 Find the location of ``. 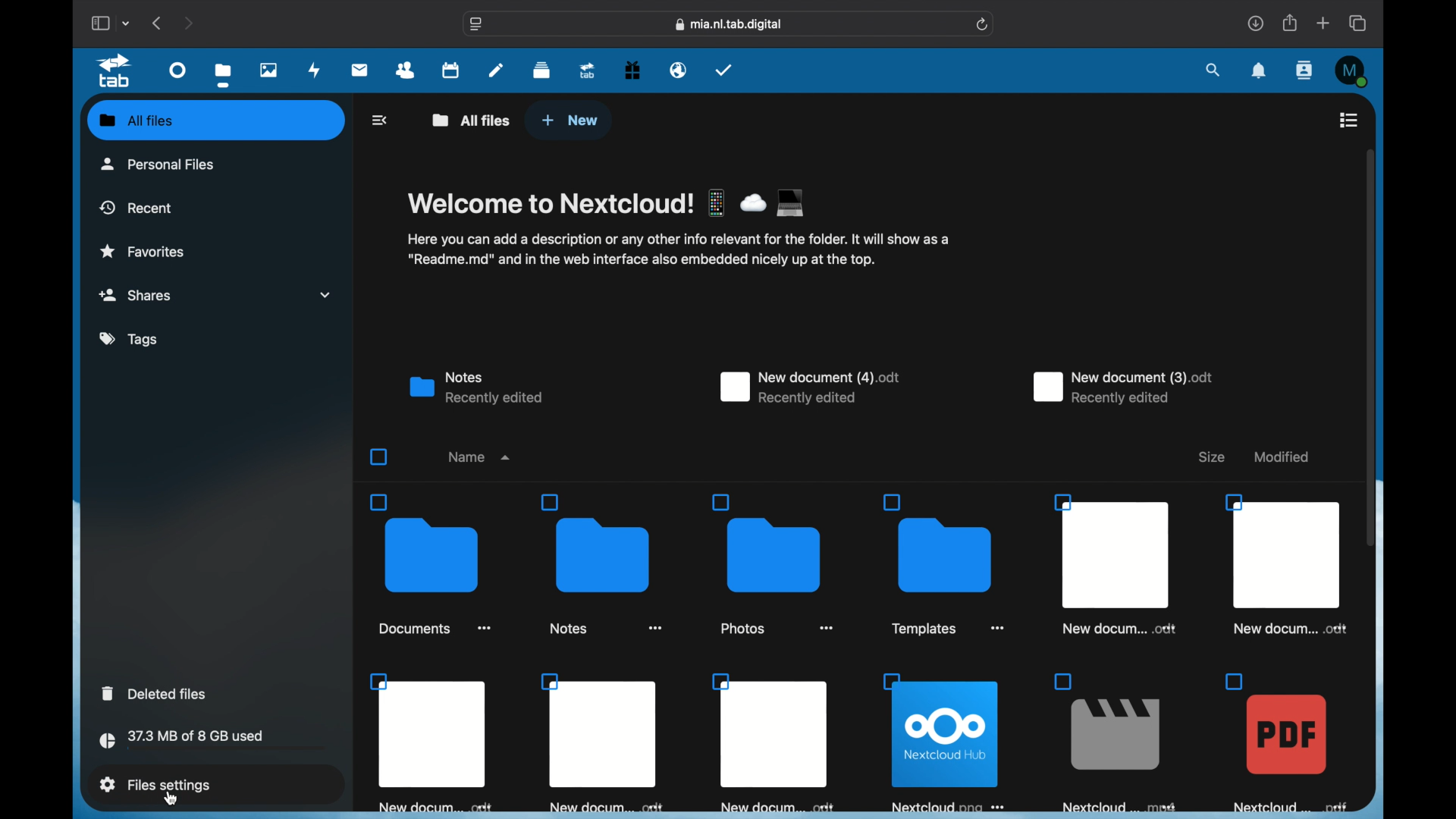

 is located at coordinates (1371, 347).